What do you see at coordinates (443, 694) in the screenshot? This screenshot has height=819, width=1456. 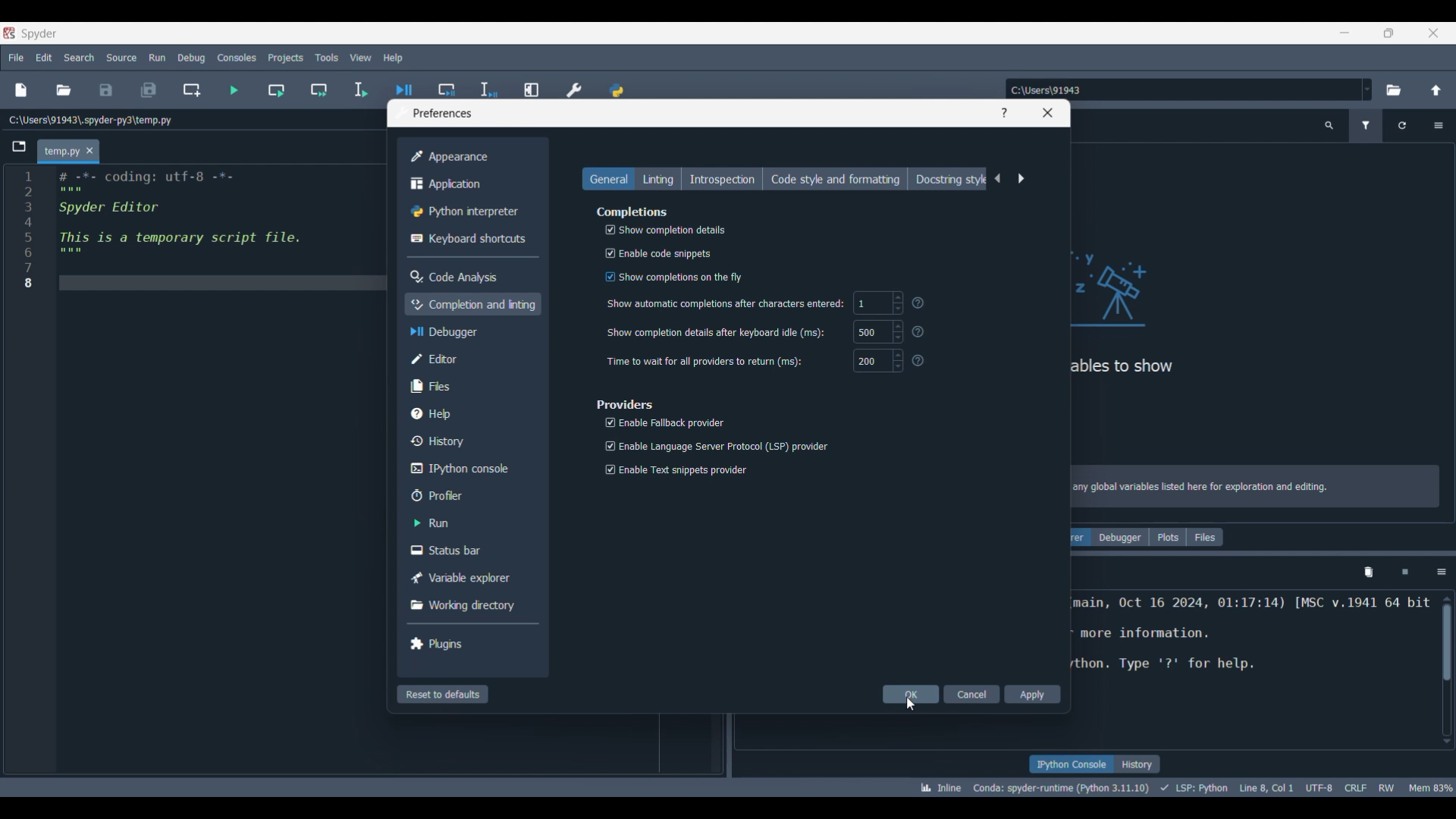 I see `Reset to defaults` at bounding box center [443, 694].